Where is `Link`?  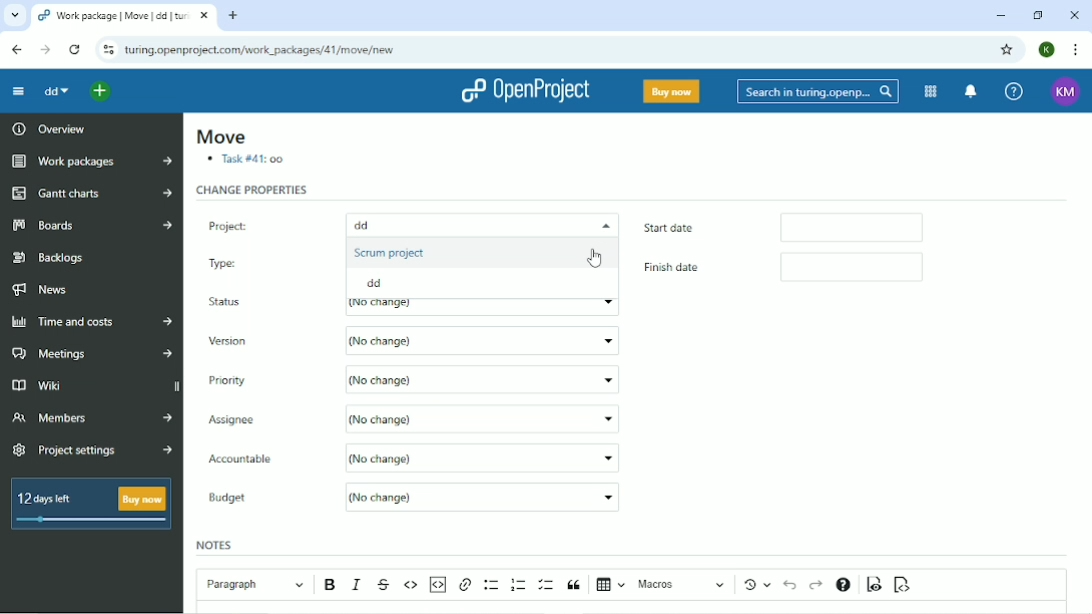
Link is located at coordinates (465, 585).